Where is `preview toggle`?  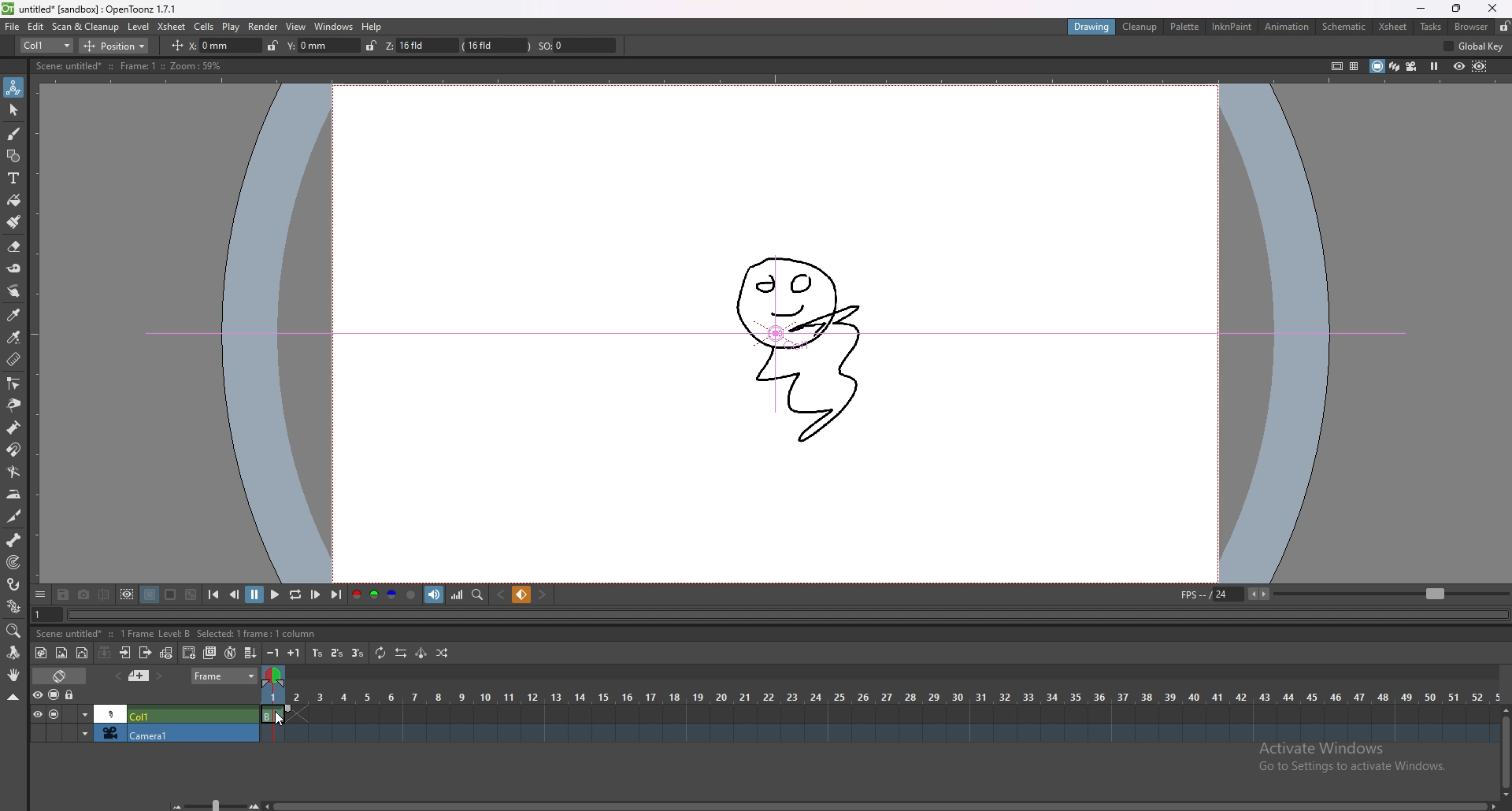
preview toggle is located at coordinates (35, 694).